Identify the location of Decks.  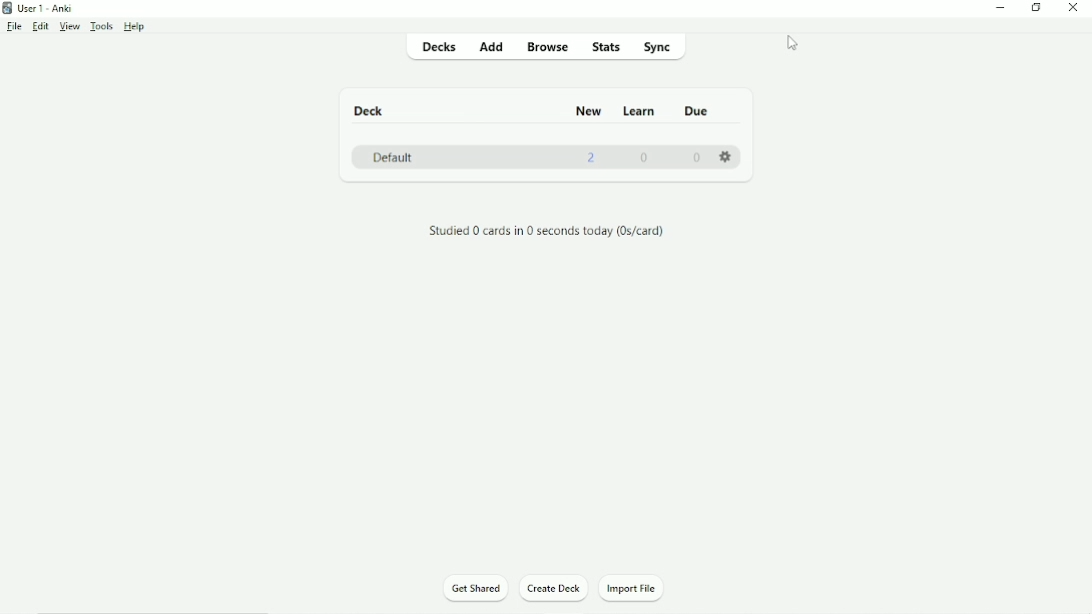
(442, 46).